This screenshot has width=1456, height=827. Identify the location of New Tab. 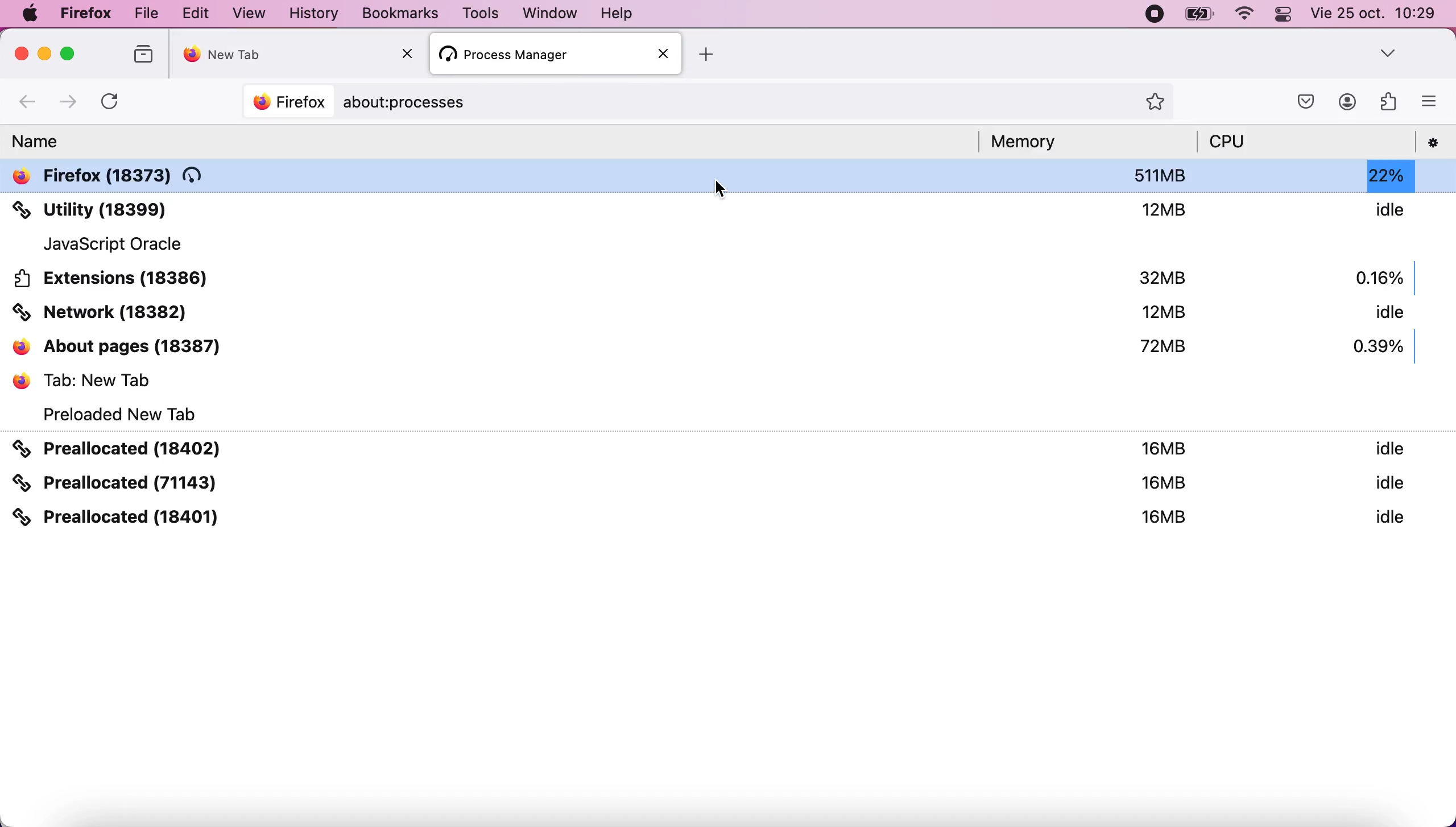
(298, 55).